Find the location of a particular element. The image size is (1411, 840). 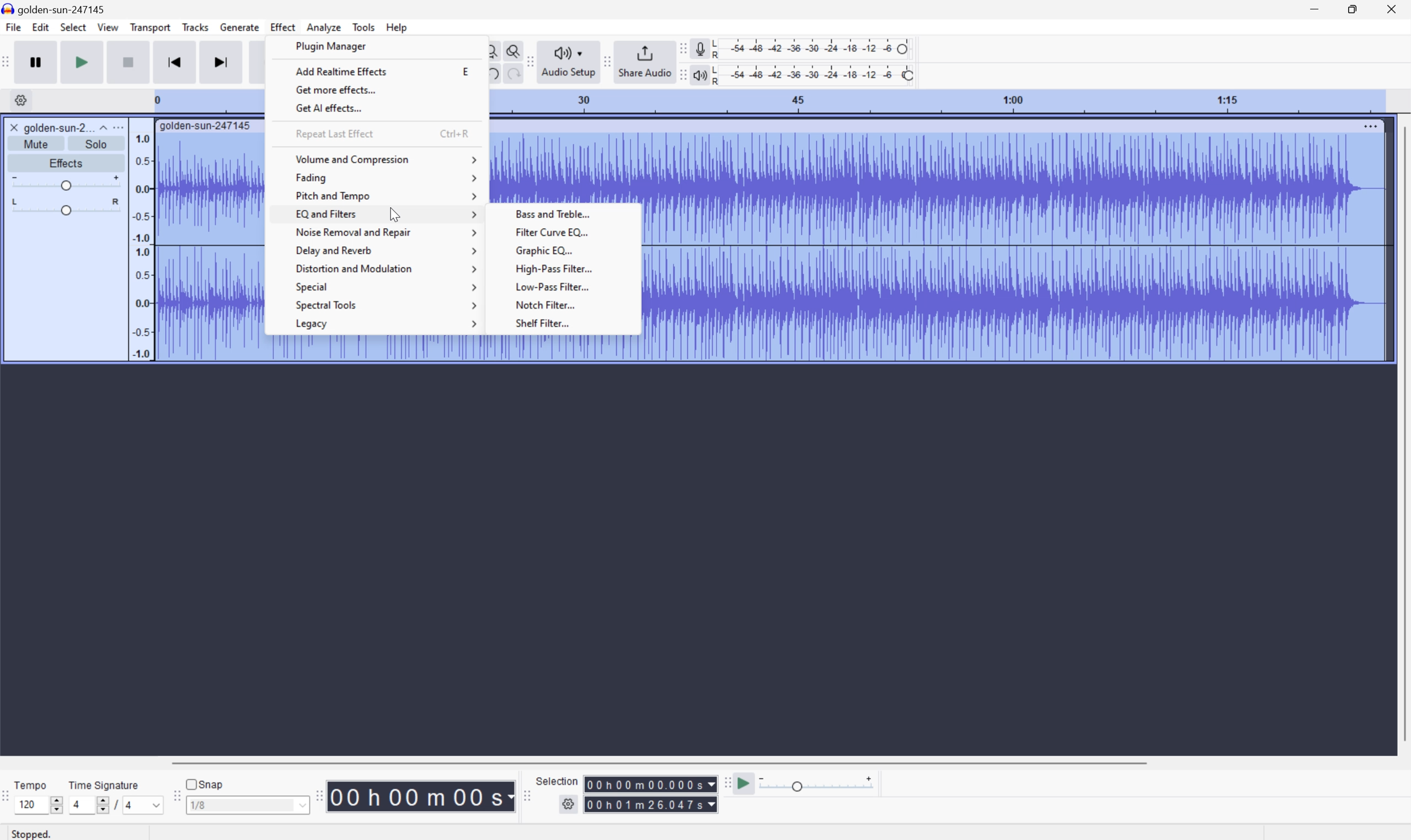

goldensun-247145 is located at coordinates (55, 9).